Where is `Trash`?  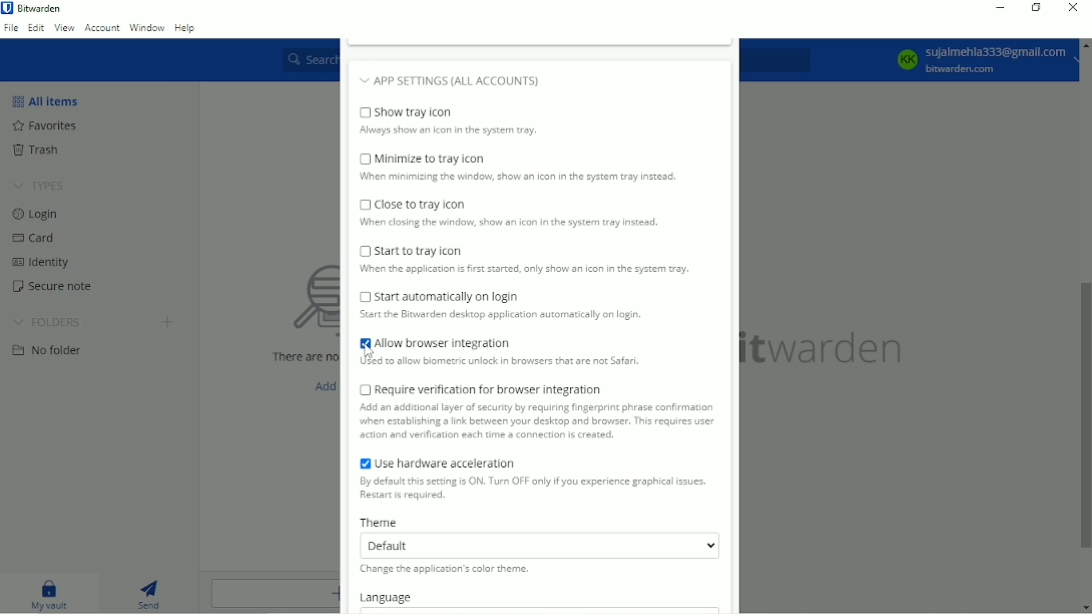
Trash is located at coordinates (36, 150).